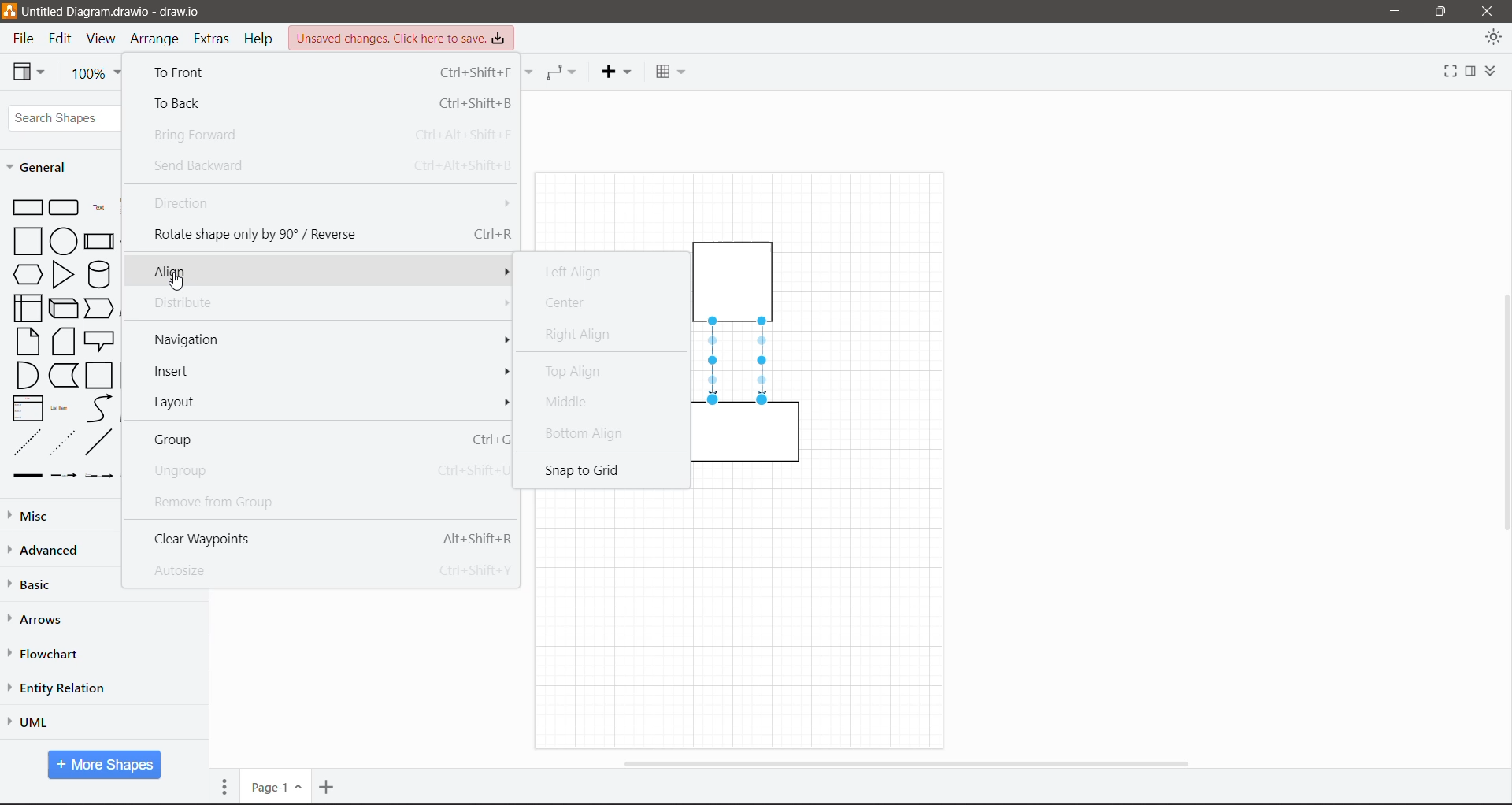 This screenshot has height=805, width=1512. What do you see at coordinates (24, 476) in the screenshot?
I see `link` at bounding box center [24, 476].